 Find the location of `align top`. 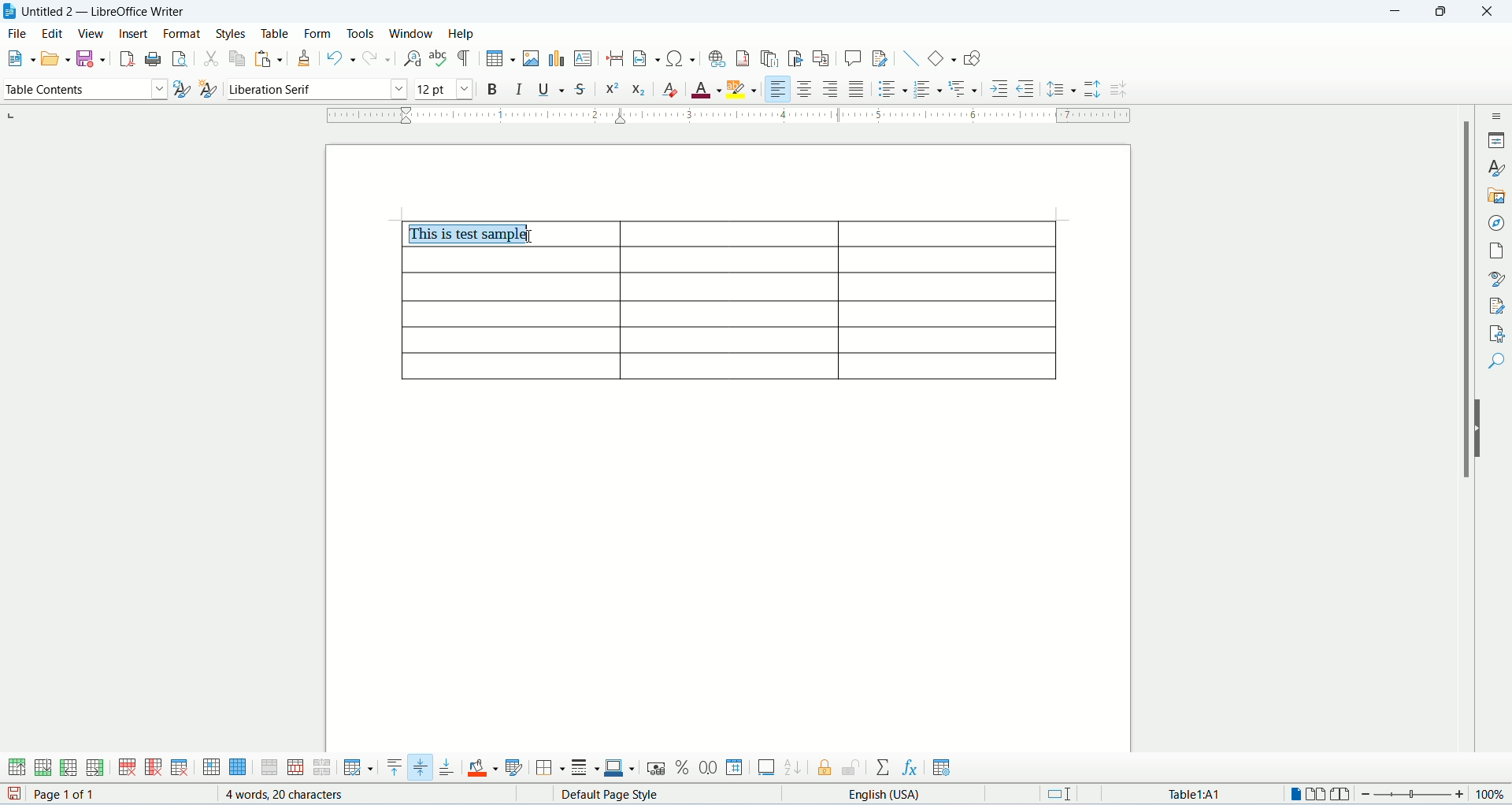

align top is located at coordinates (392, 769).